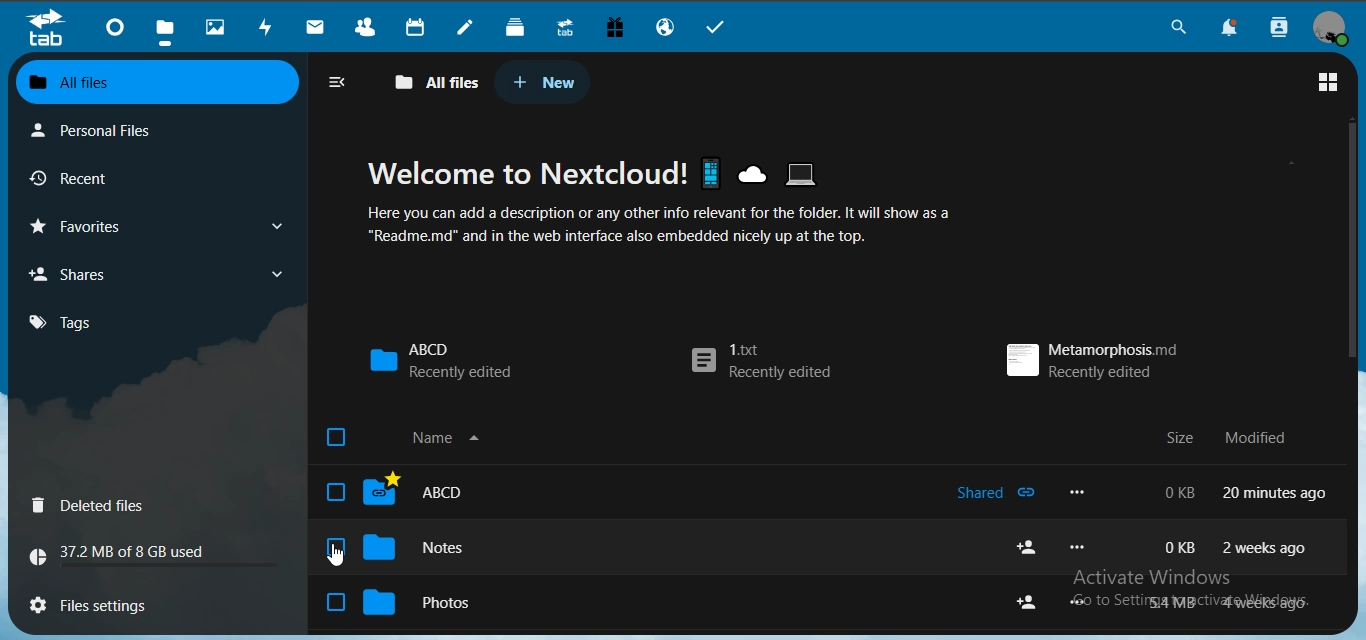 The image size is (1366, 640). Describe the element at coordinates (1075, 491) in the screenshot. I see `more options` at that location.